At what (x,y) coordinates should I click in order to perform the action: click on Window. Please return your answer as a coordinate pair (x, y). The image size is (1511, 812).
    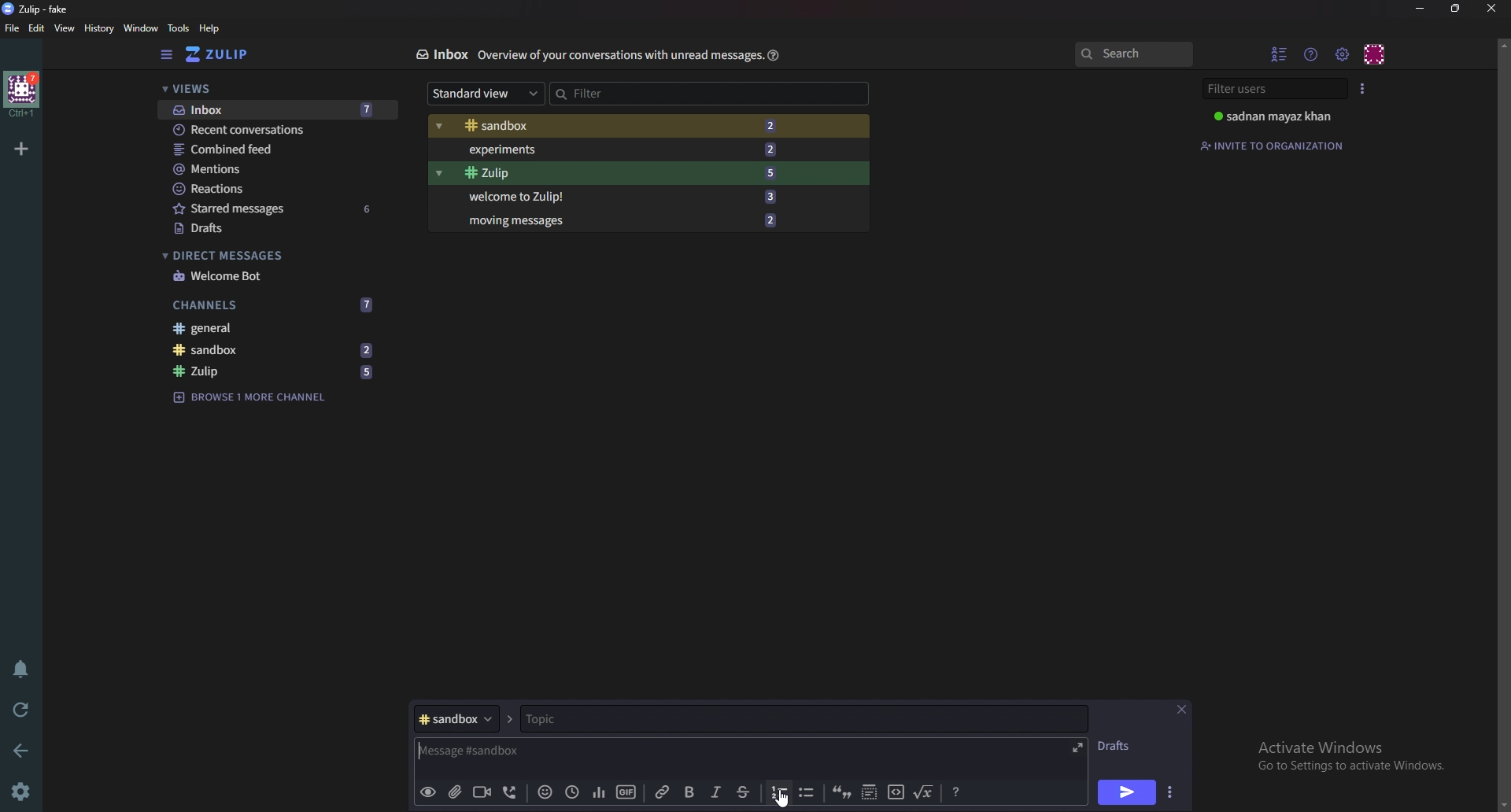
    Looking at the image, I should click on (139, 28).